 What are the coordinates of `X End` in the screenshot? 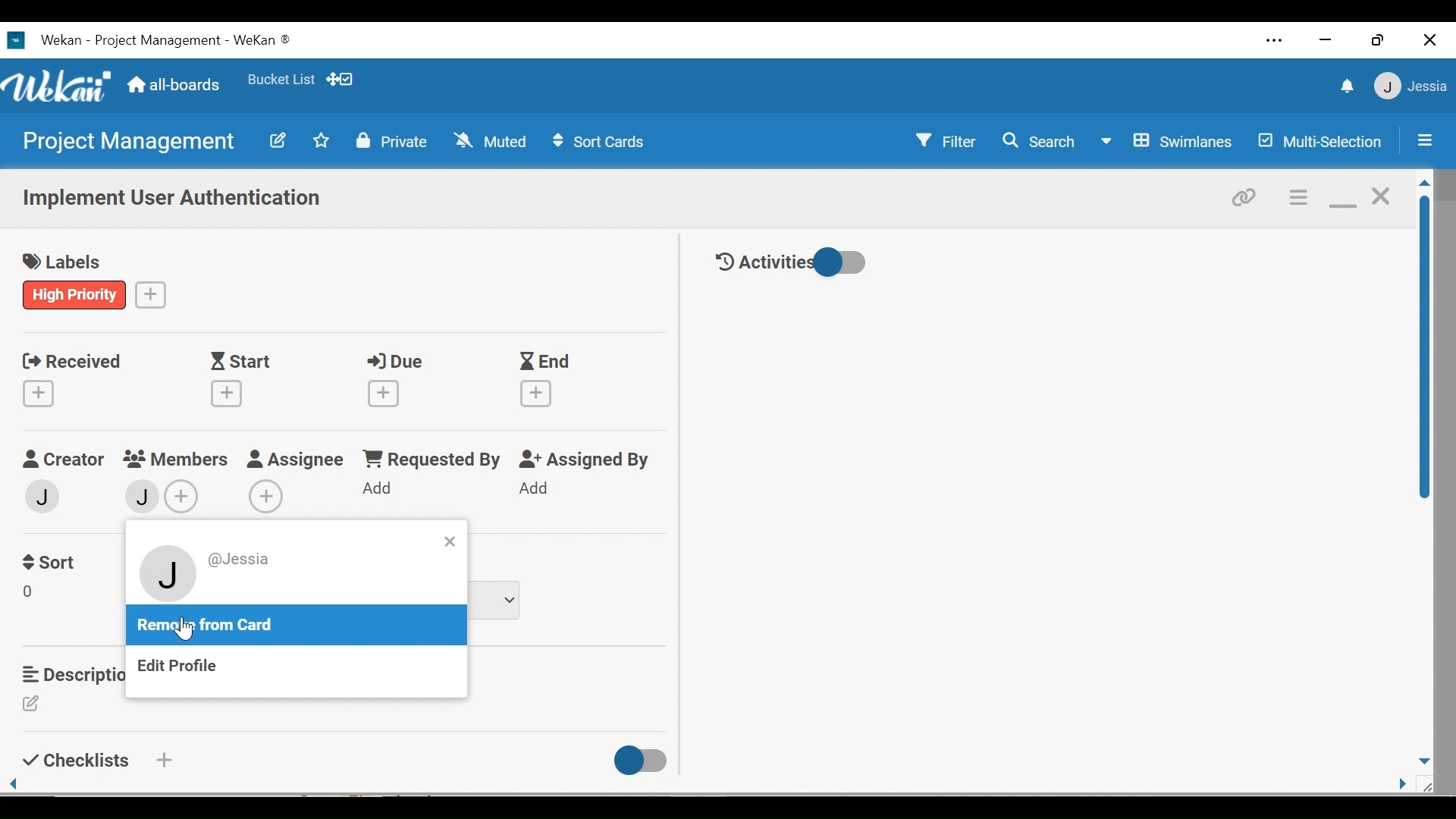 It's located at (546, 380).